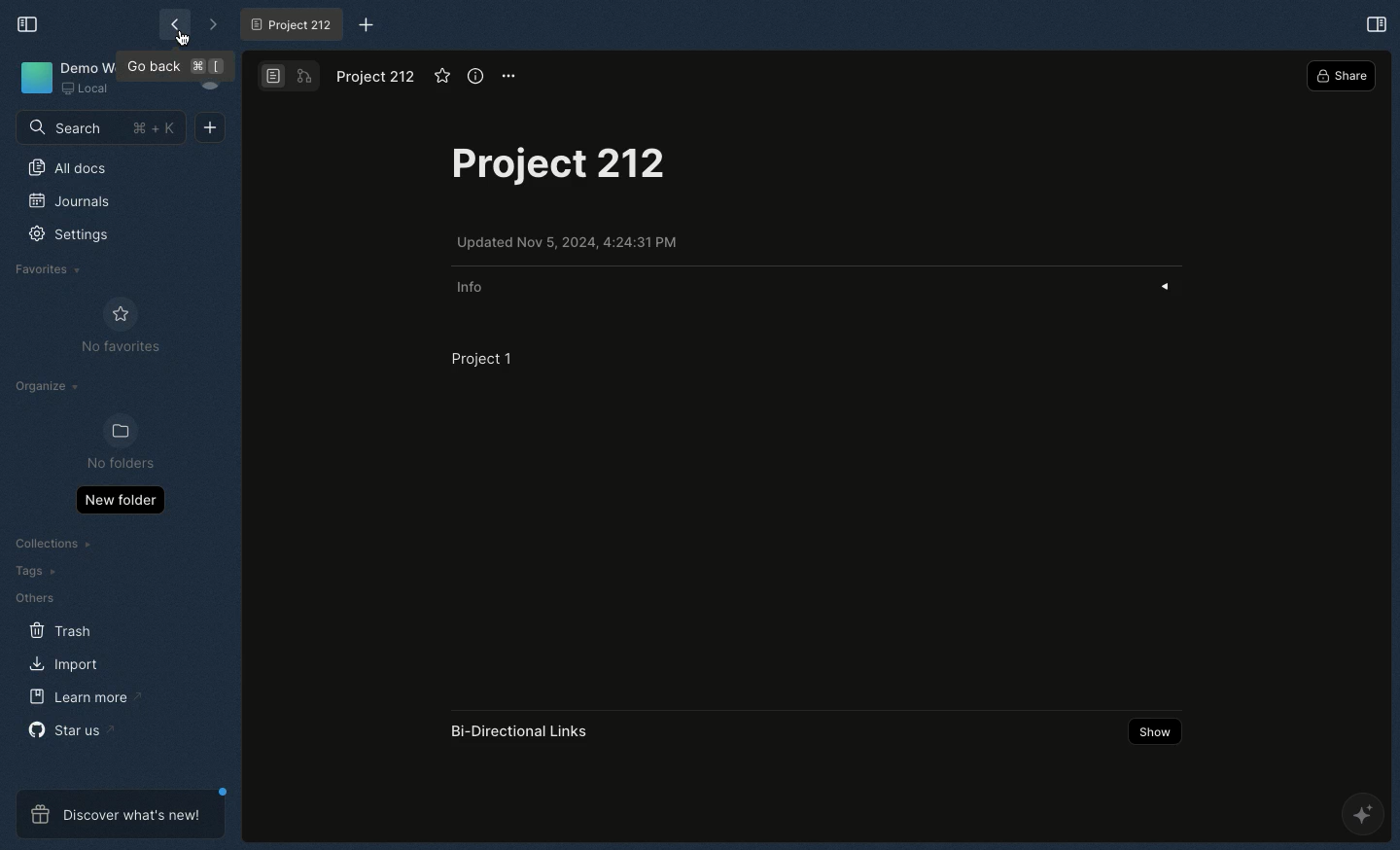  Describe the element at coordinates (481, 358) in the screenshot. I see `Project 1` at that location.